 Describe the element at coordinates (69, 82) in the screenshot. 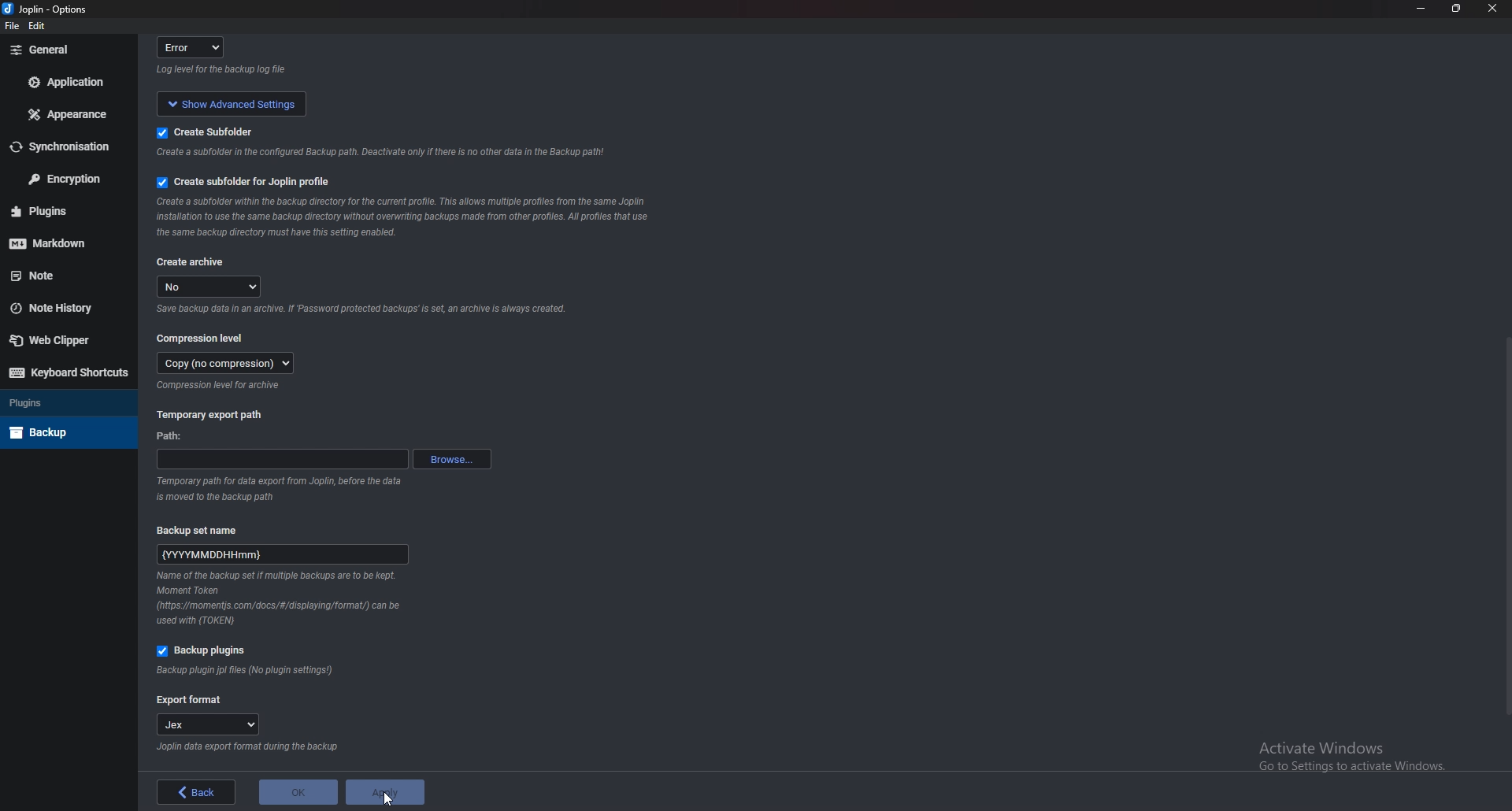

I see `Application` at that location.